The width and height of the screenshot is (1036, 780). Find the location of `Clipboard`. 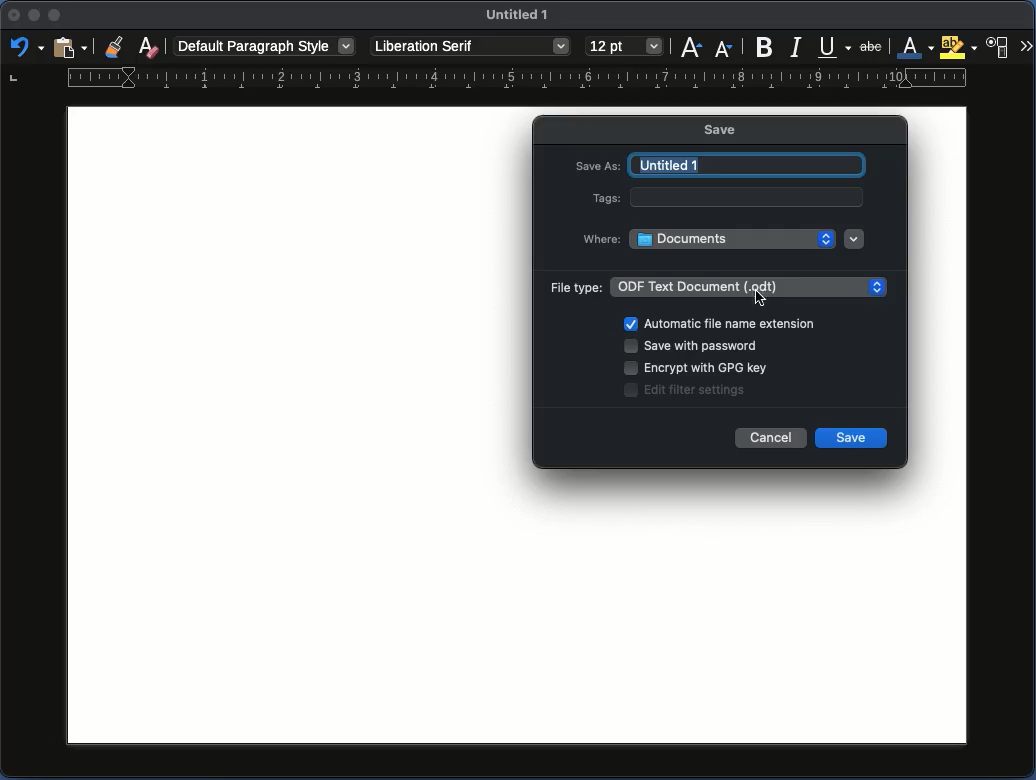

Clipboard is located at coordinates (70, 46).